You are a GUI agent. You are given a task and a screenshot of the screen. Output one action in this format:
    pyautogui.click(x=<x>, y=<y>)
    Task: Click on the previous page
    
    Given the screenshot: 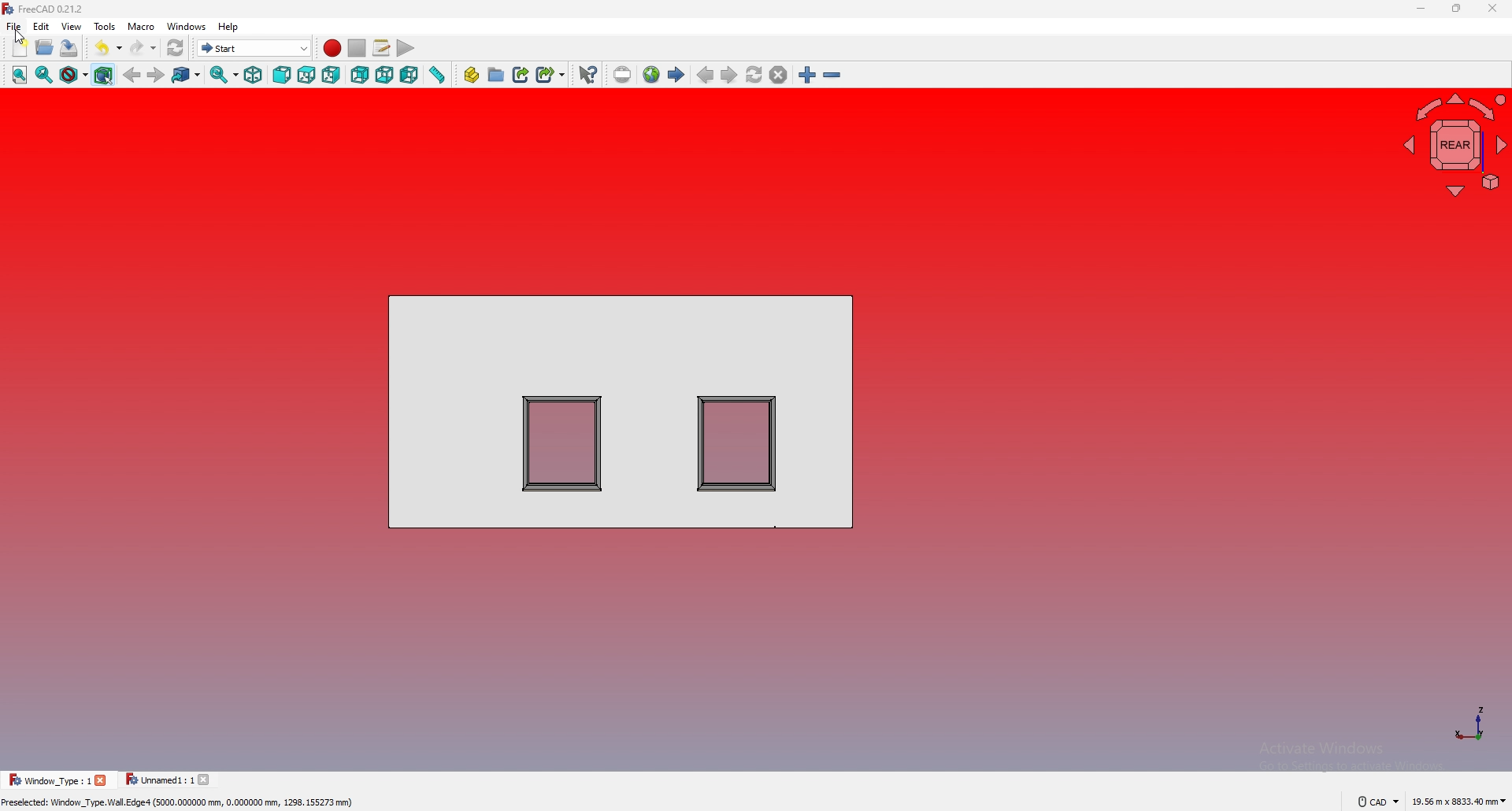 What is the action you would take?
    pyautogui.click(x=705, y=75)
    